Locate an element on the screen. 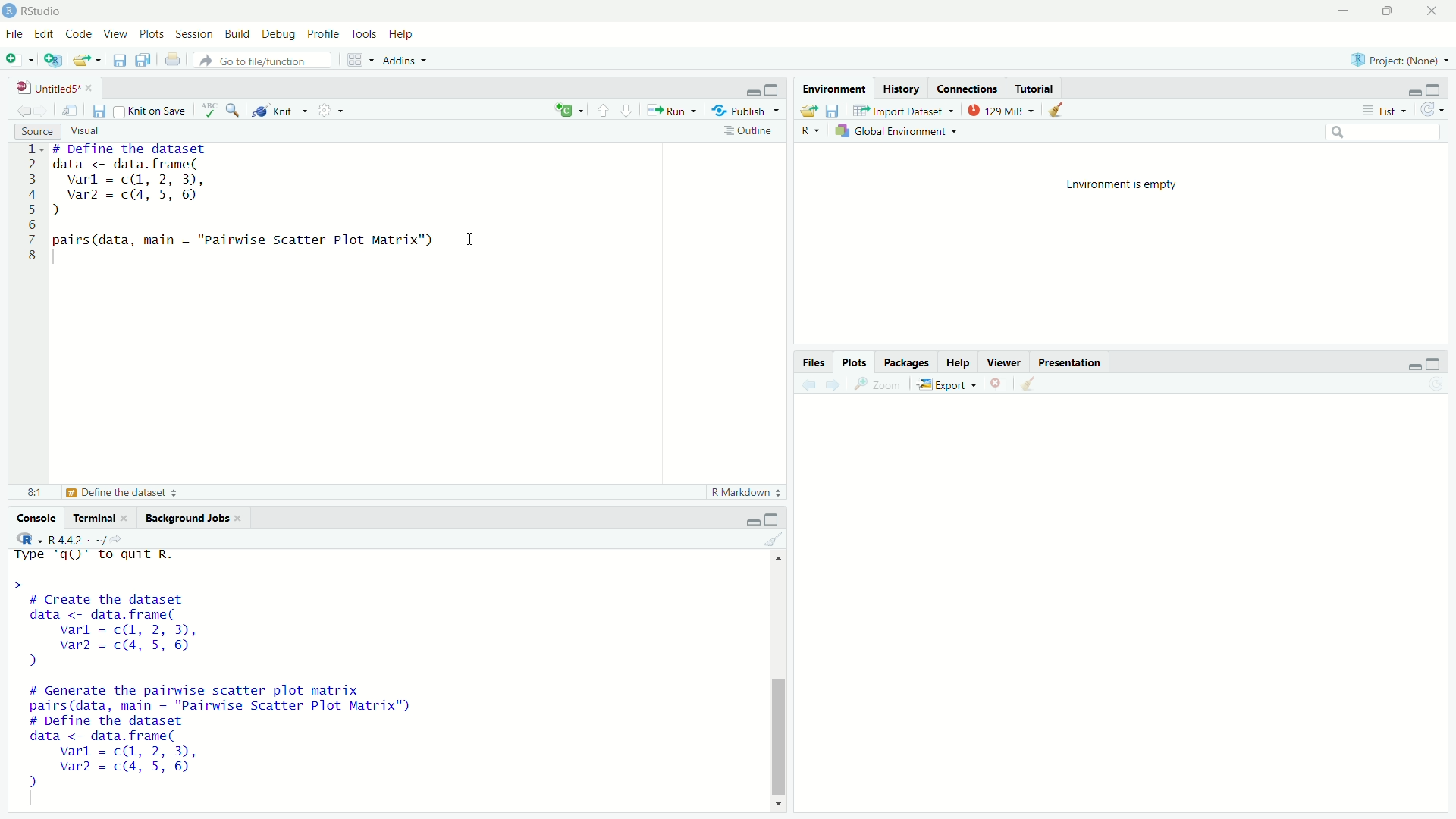  View the current working directory is located at coordinates (118, 537).